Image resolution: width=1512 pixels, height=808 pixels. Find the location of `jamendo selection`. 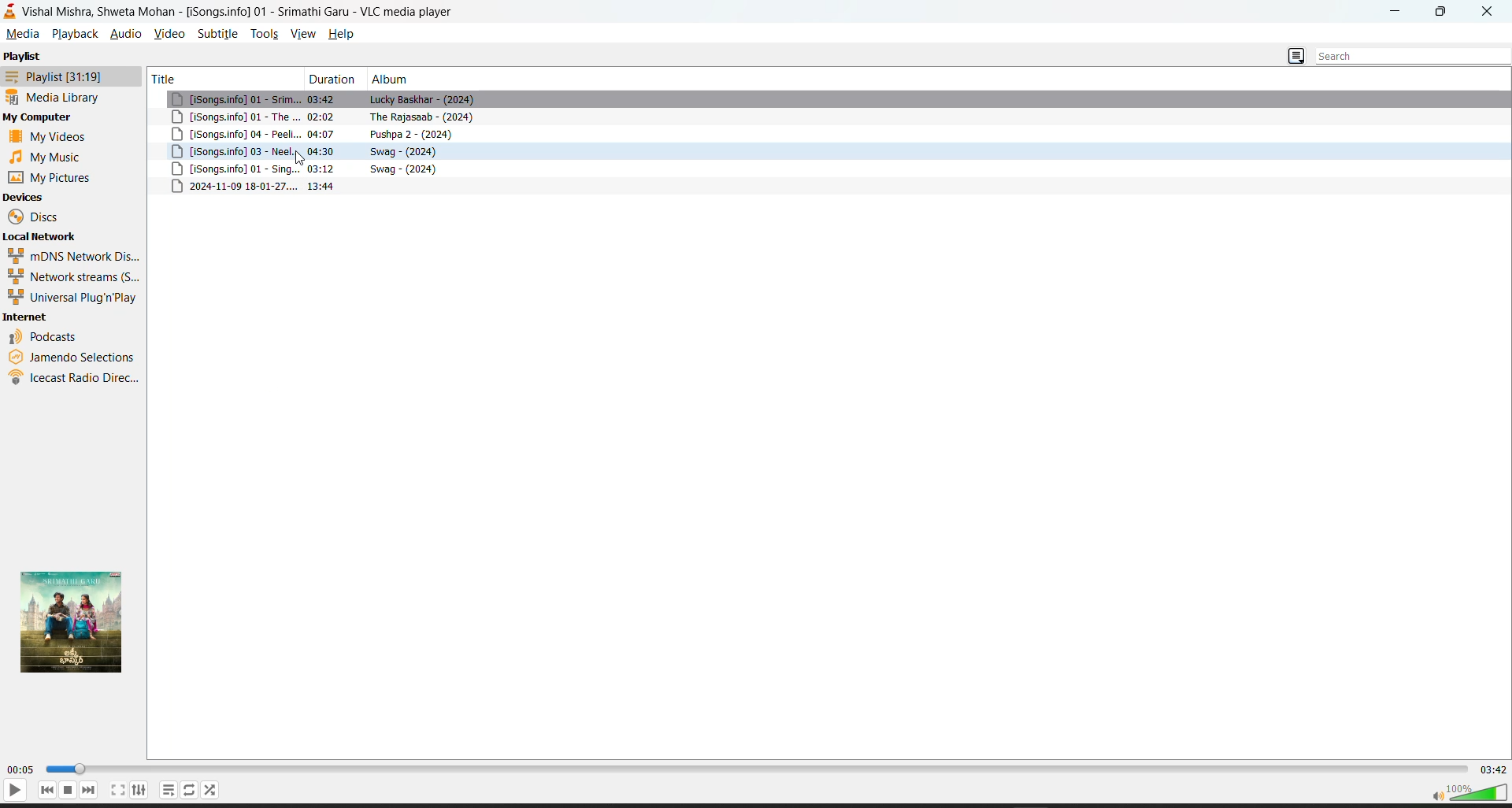

jamendo selection is located at coordinates (75, 356).